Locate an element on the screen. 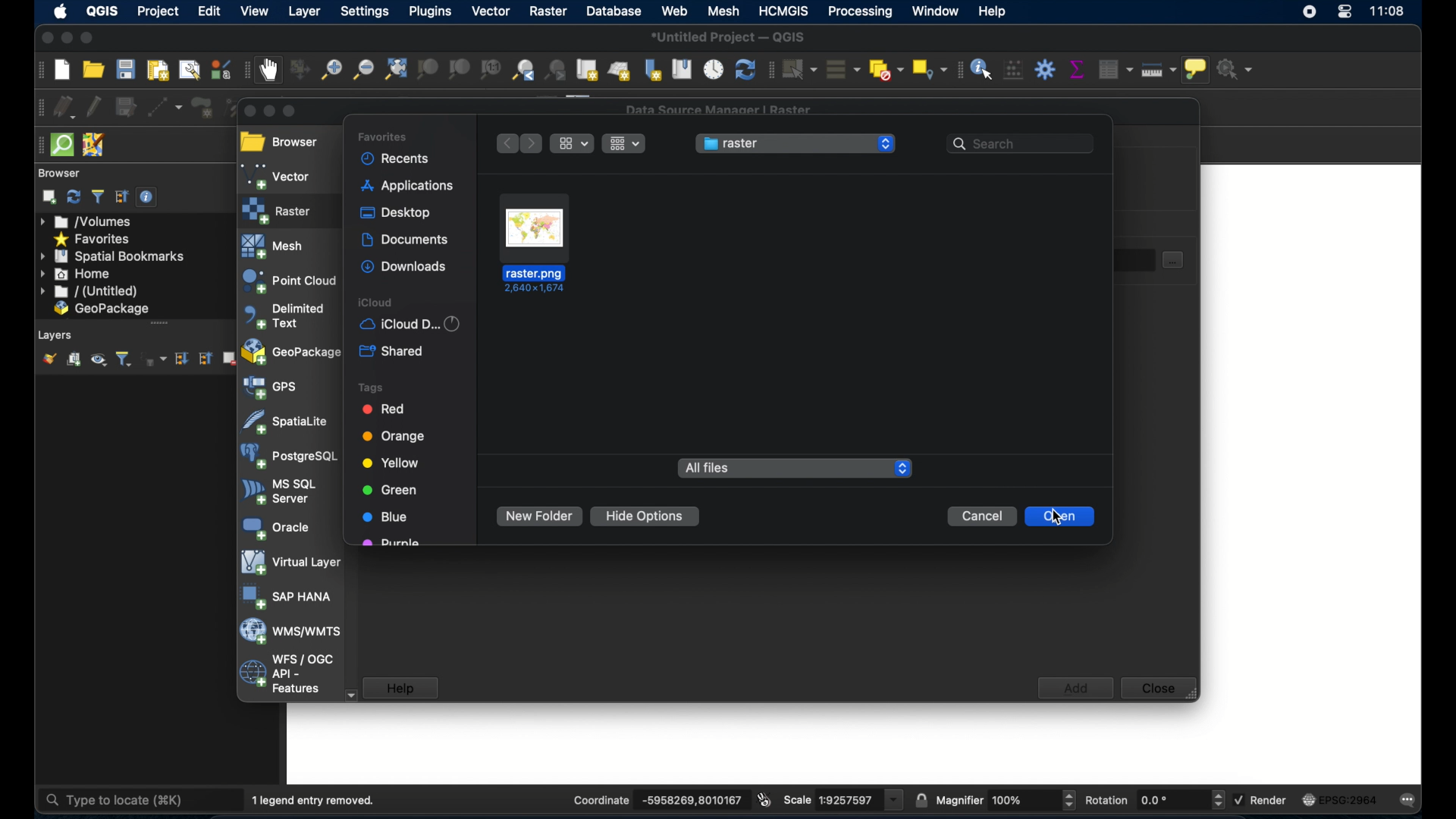 The height and width of the screenshot is (819, 1456). coordinate is located at coordinates (599, 799).